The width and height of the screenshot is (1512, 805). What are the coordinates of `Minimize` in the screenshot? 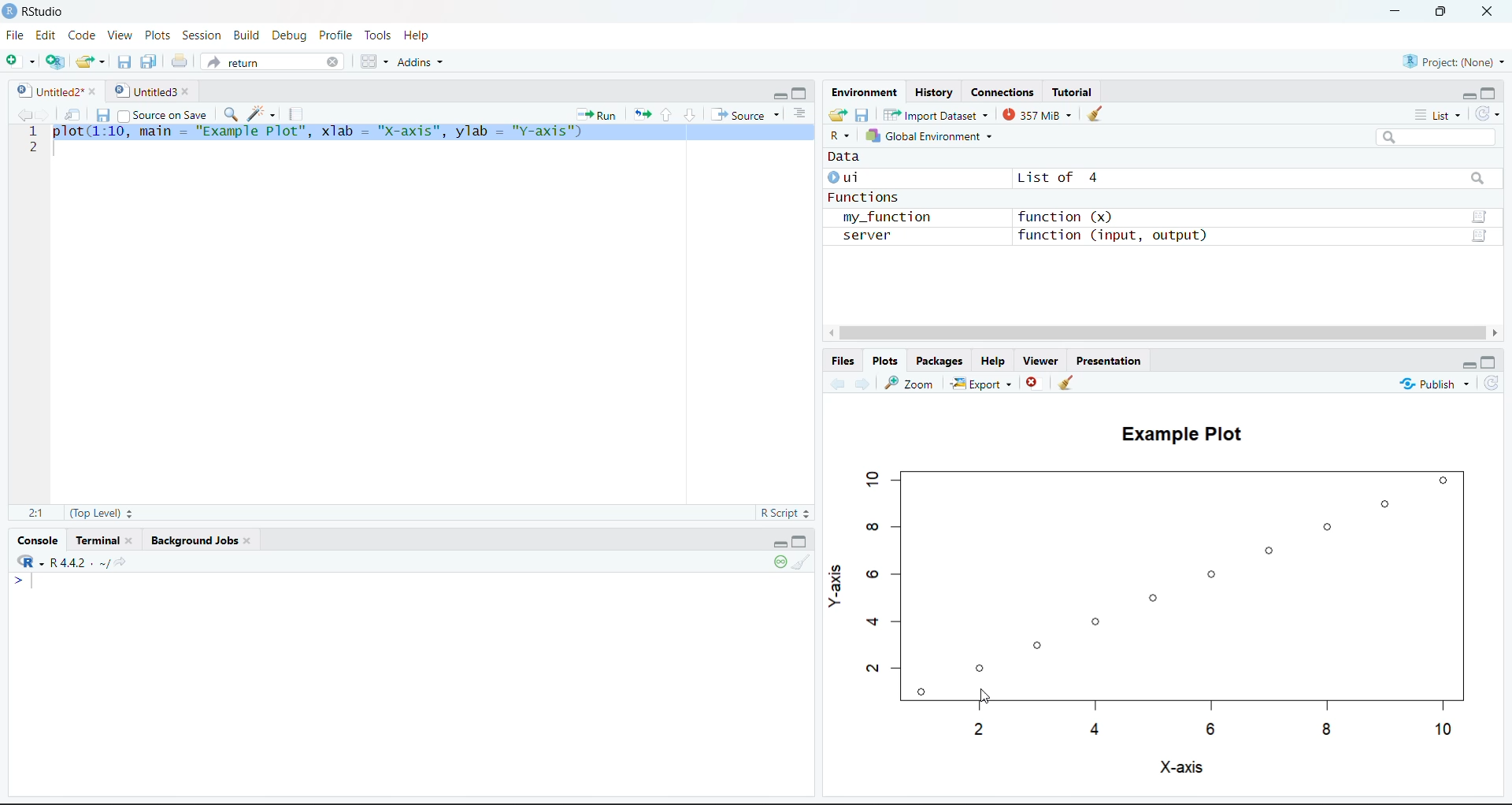 It's located at (1395, 12).